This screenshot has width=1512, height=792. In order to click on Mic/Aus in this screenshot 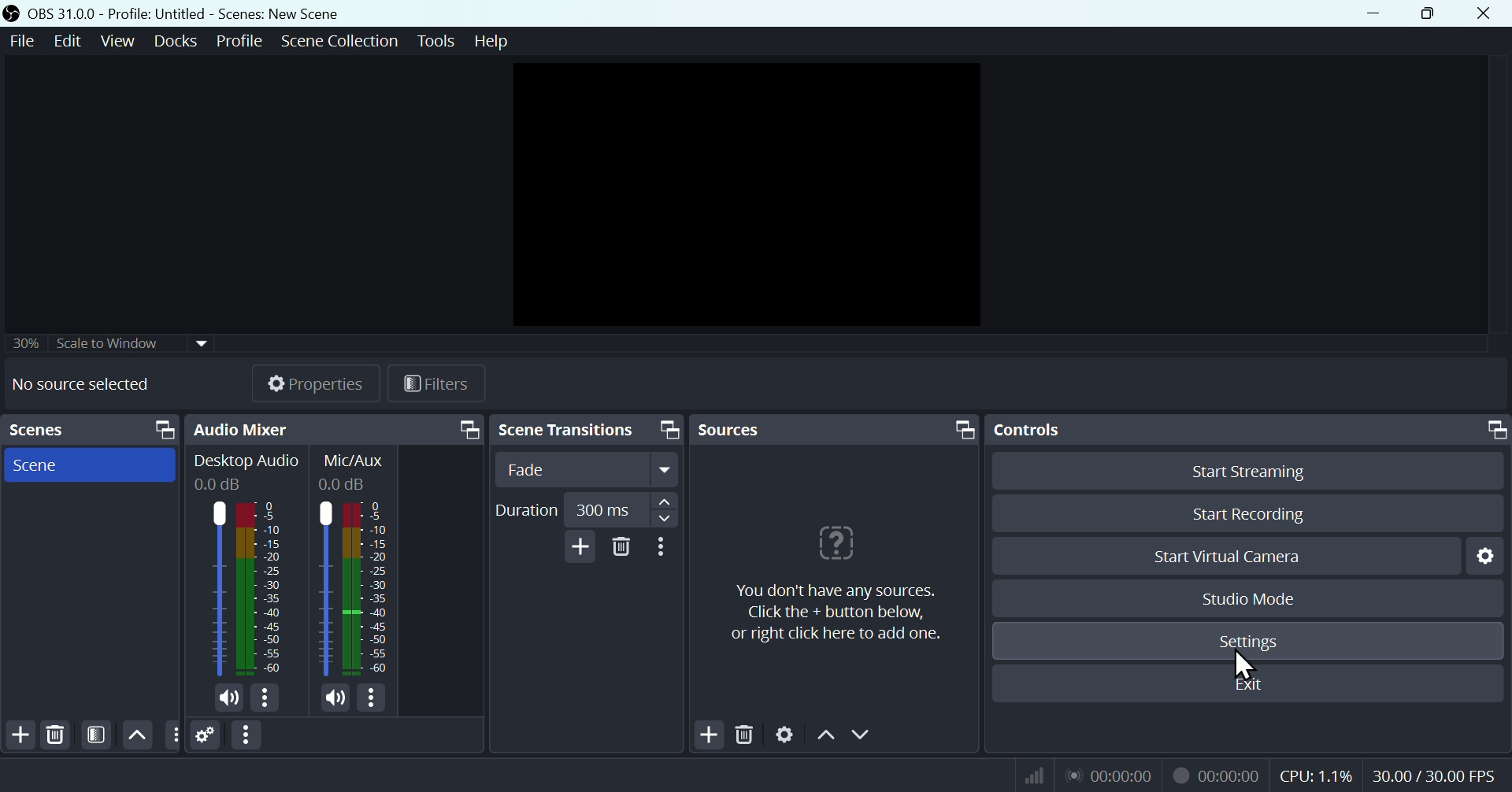, I will do `click(354, 472)`.